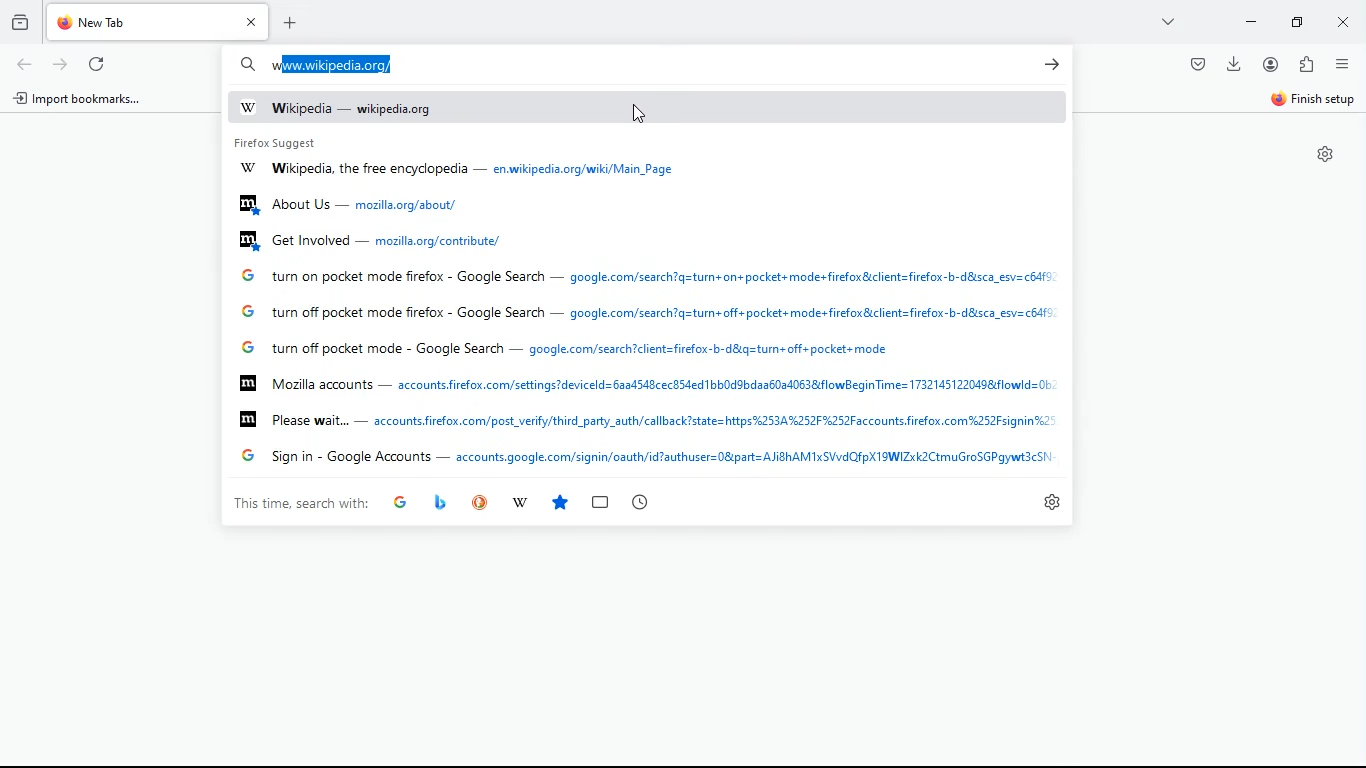  Describe the element at coordinates (1316, 98) in the screenshot. I see `finish setup` at that location.